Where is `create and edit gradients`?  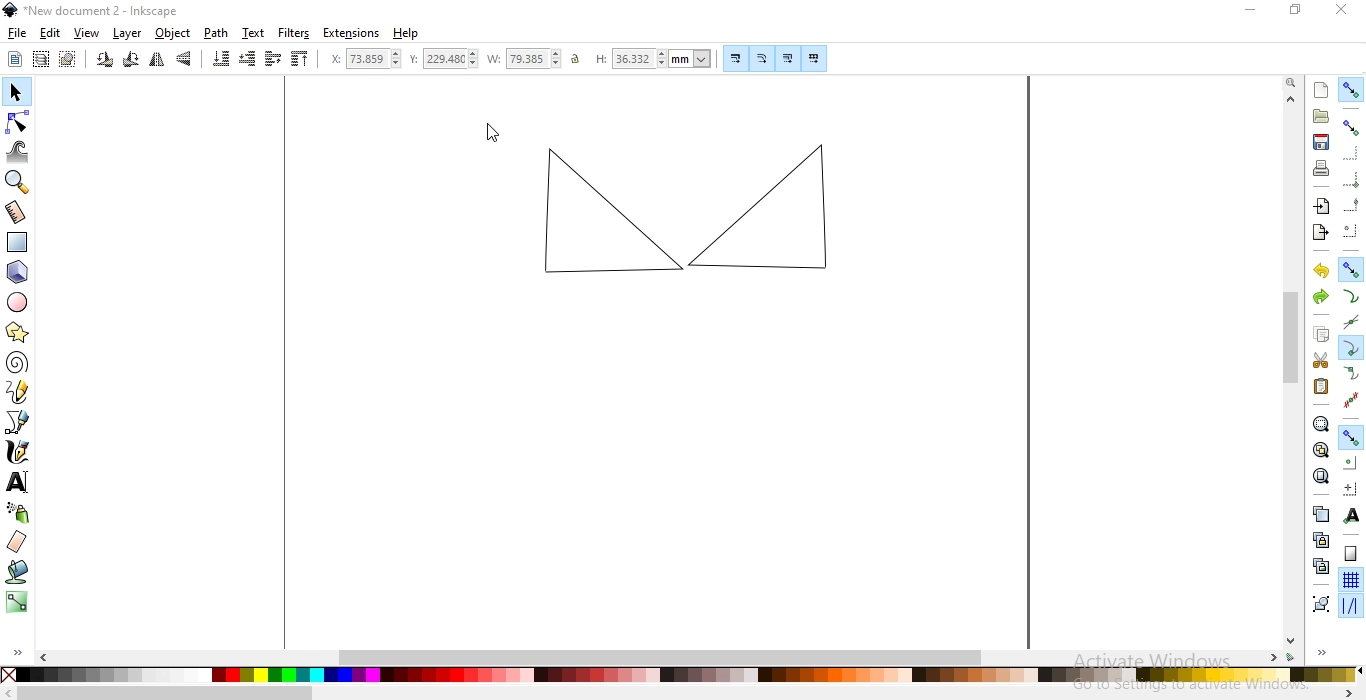 create and edit gradients is located at coordinates (15, 602).